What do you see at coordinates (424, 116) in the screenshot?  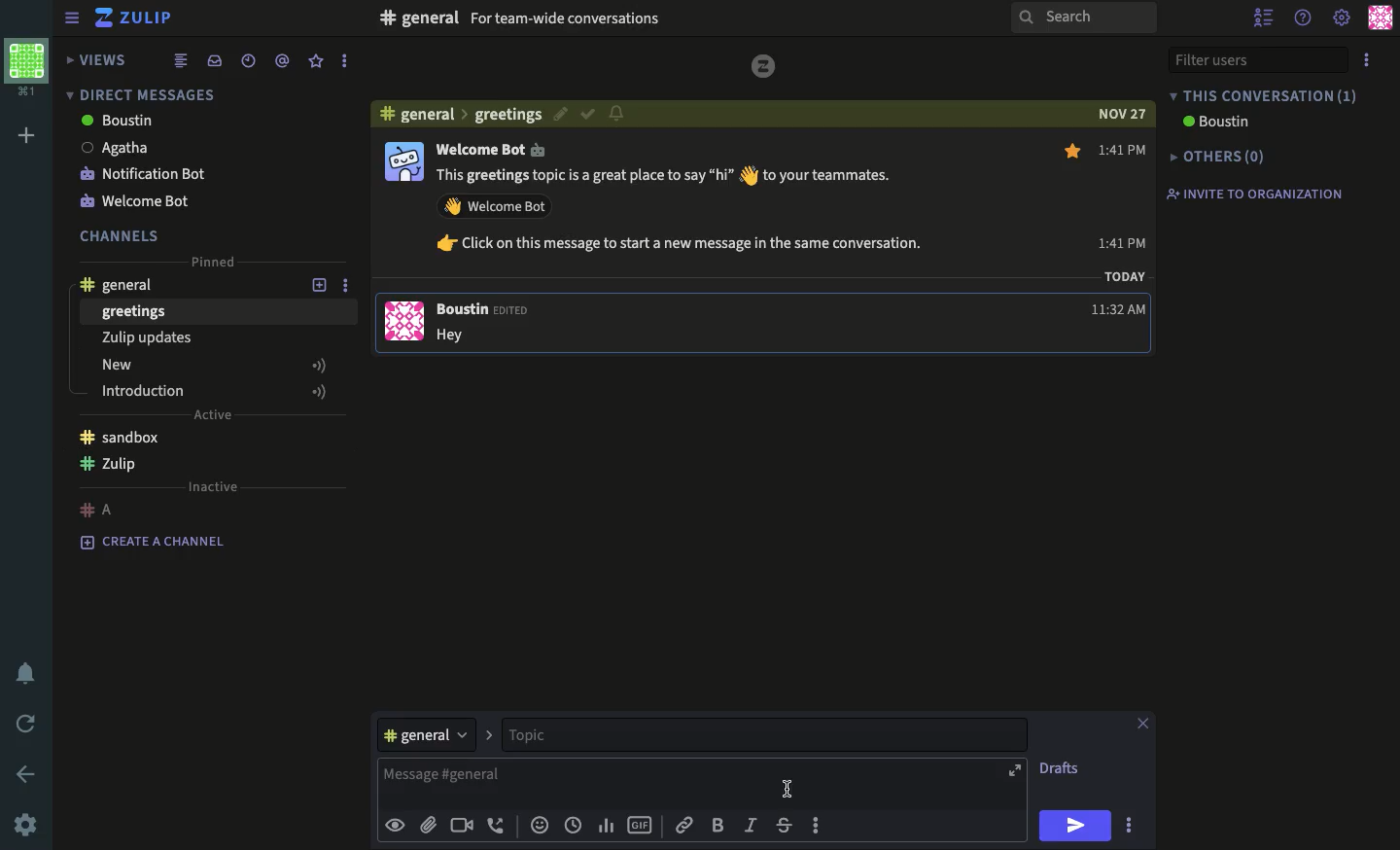 I see `general` at bounding box center [424, 116].